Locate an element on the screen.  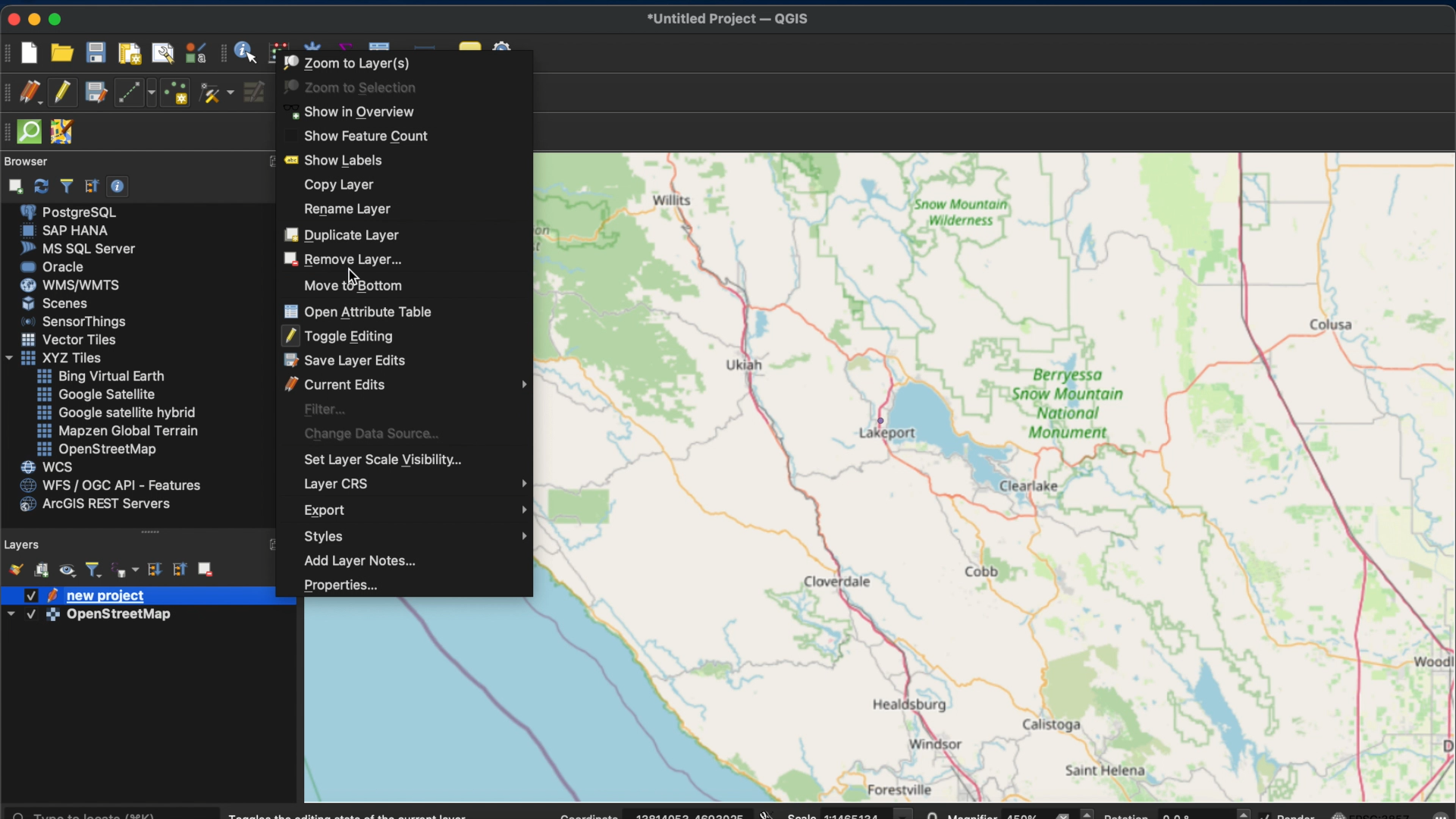
style manager is located at coordinates (193, 52).